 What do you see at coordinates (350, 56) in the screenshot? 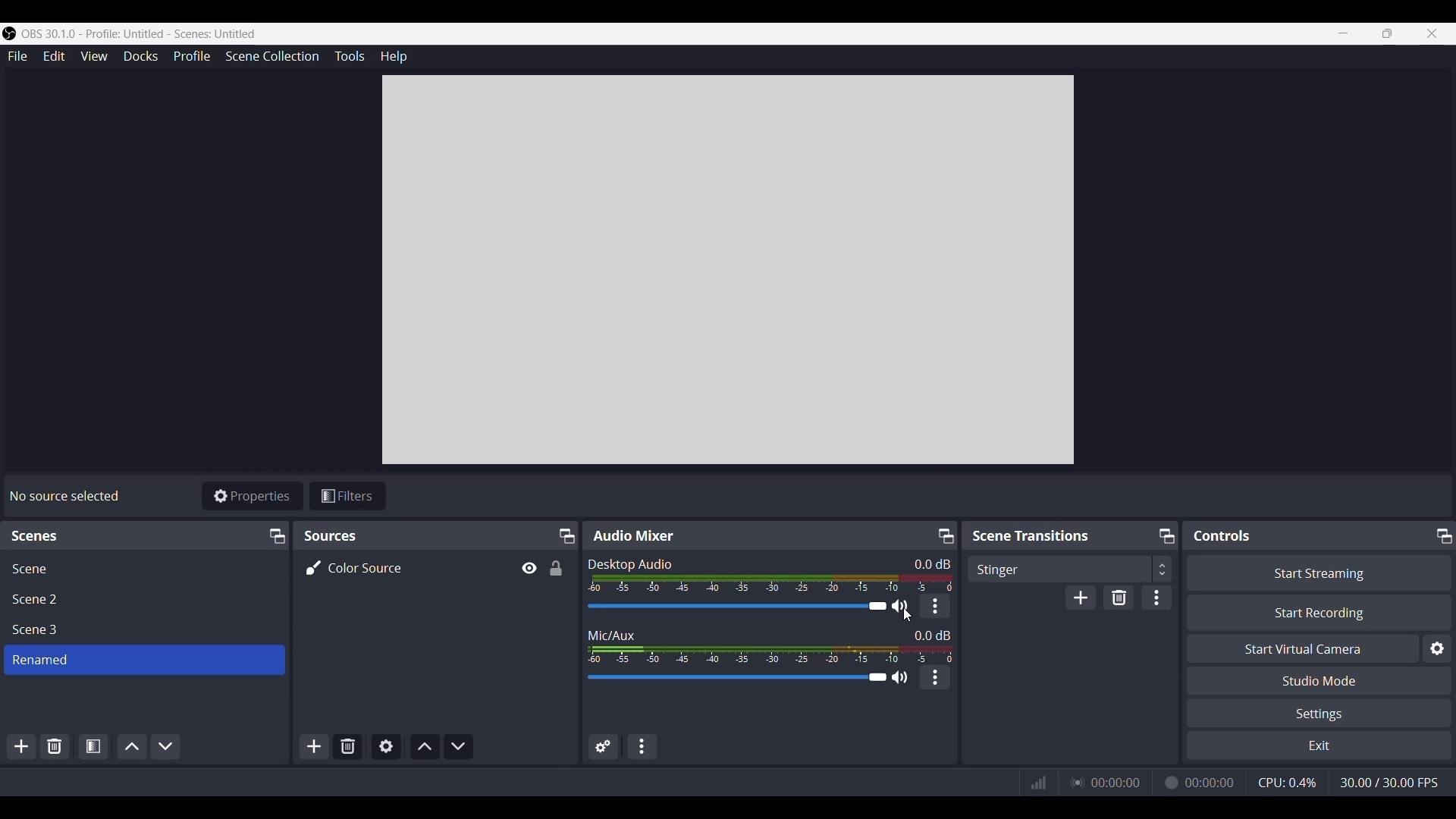
I see `Tools` at bounding box center [350, 56].